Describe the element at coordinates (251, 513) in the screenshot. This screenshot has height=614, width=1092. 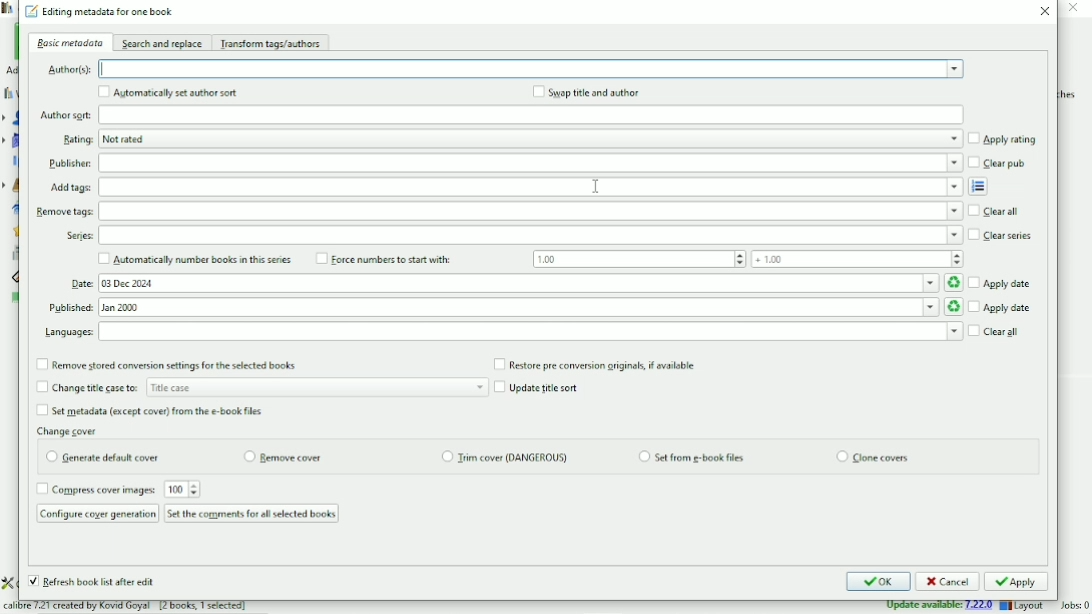
I see `Set the comments for all selected books` at that location.